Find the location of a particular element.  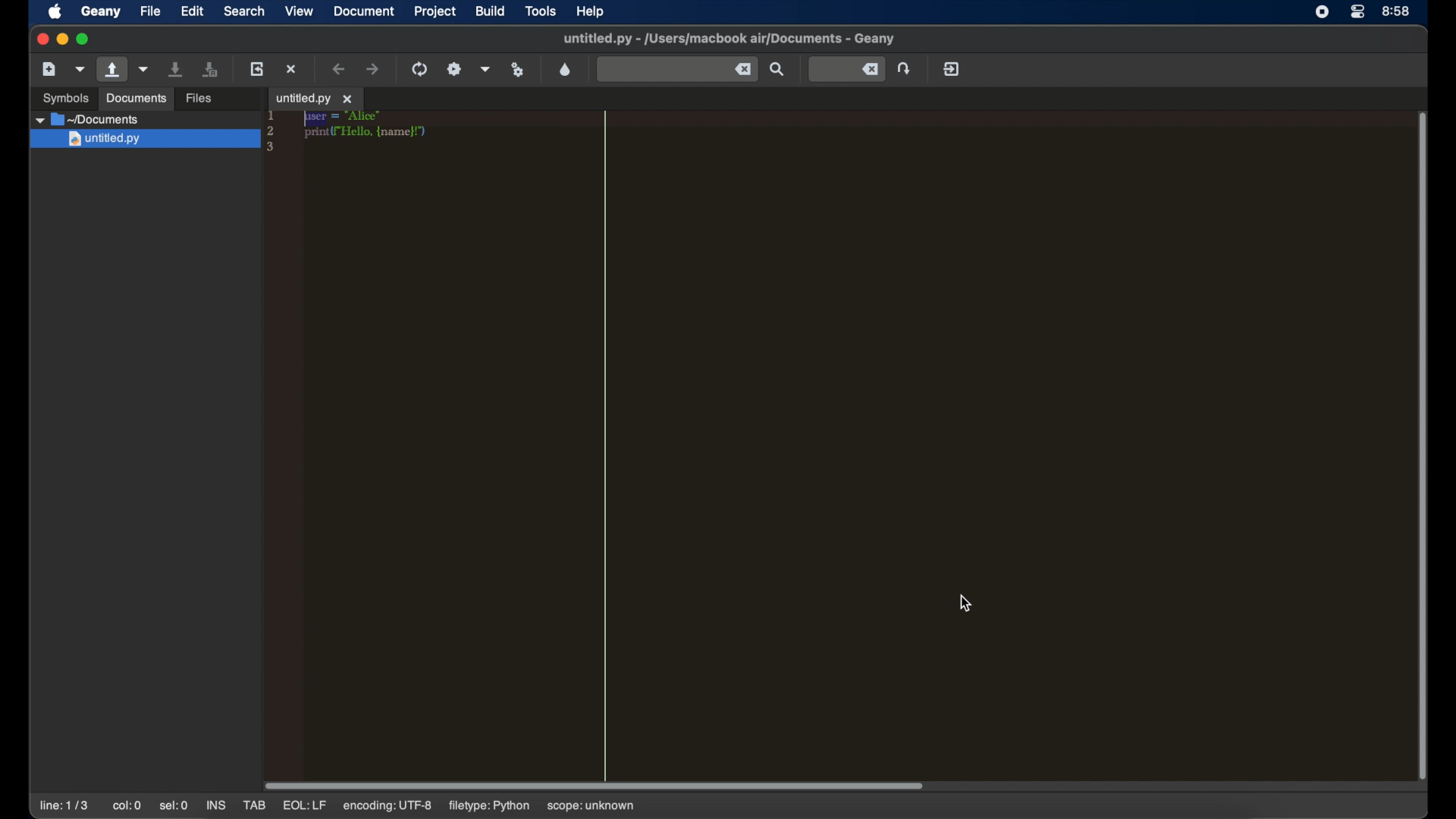

create a new file from template is located at coordinates (80, 69).